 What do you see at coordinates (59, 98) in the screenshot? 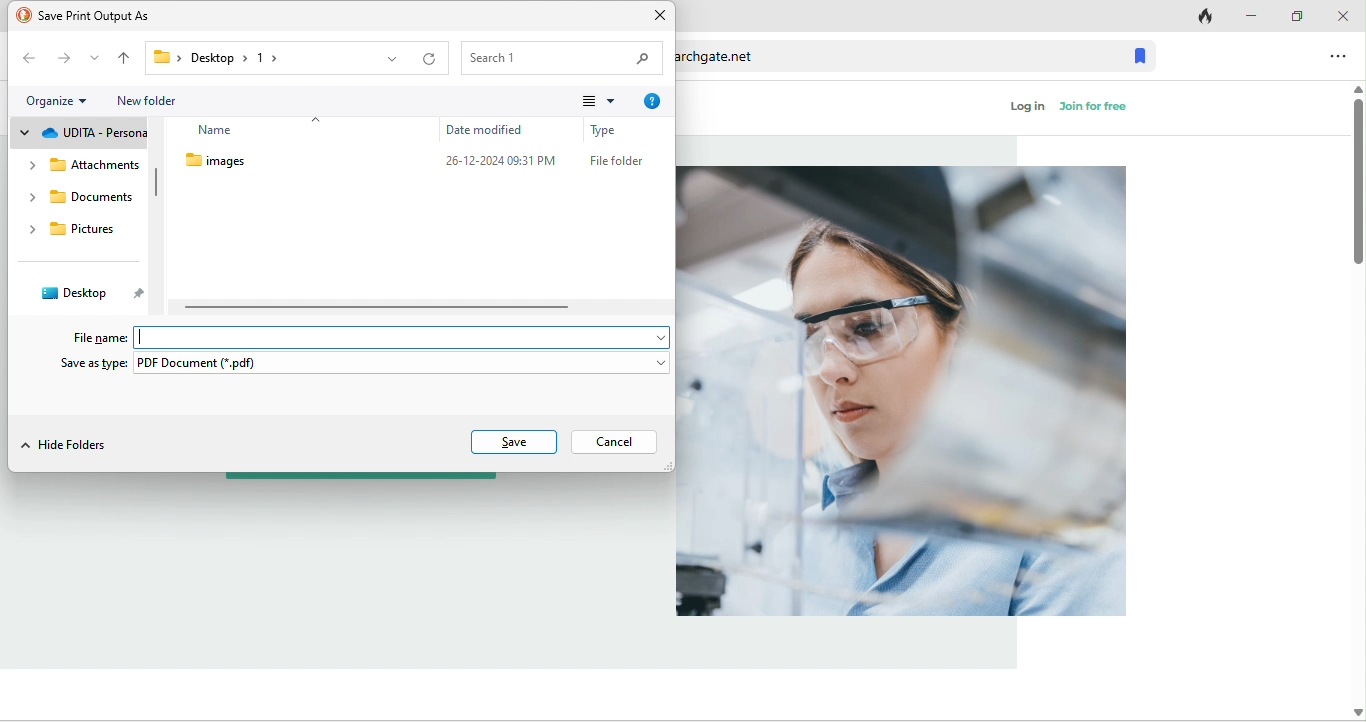
I see `organize` at bounding box center [59, 98].